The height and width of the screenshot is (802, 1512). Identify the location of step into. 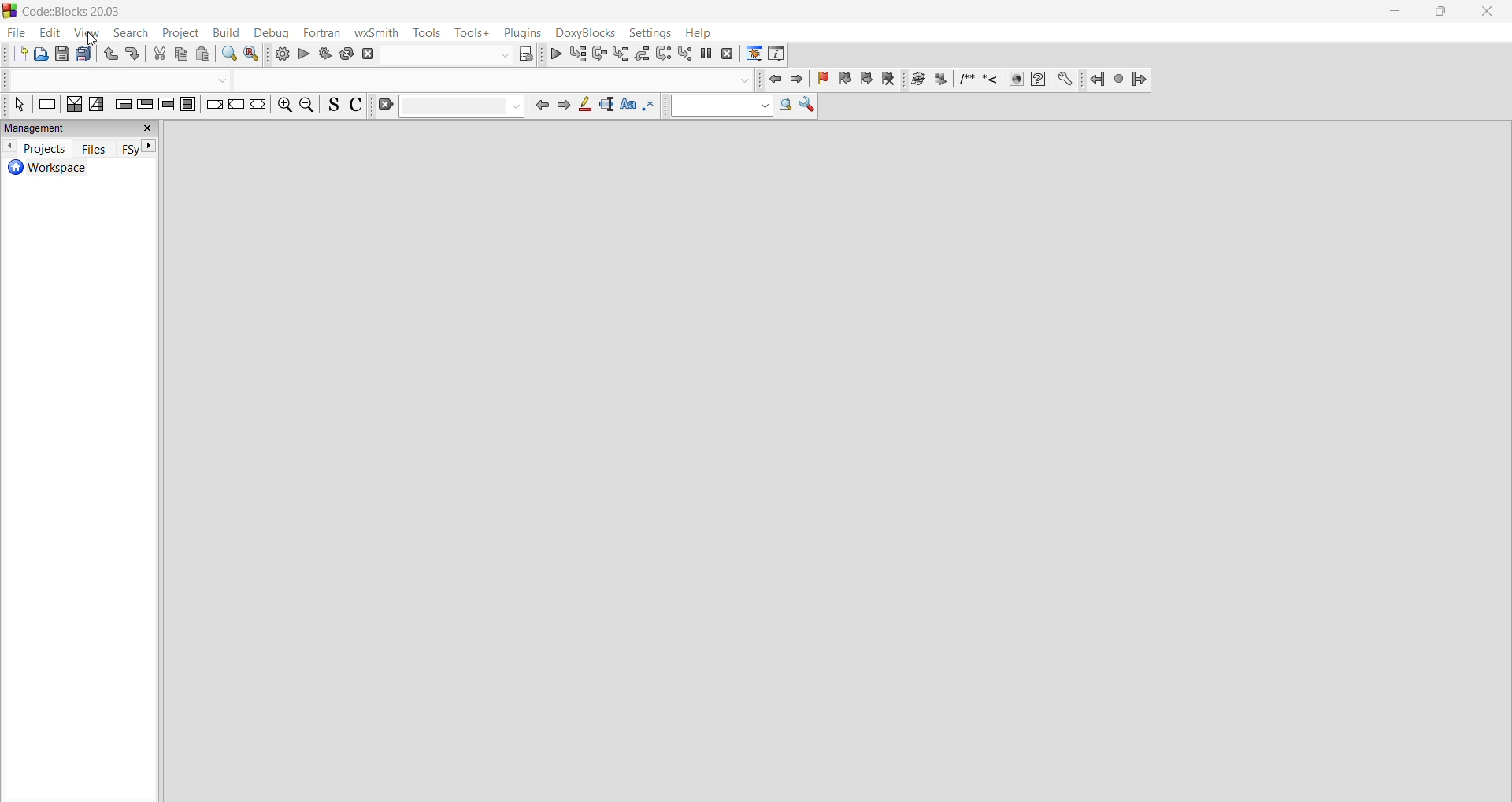
(622, 55).